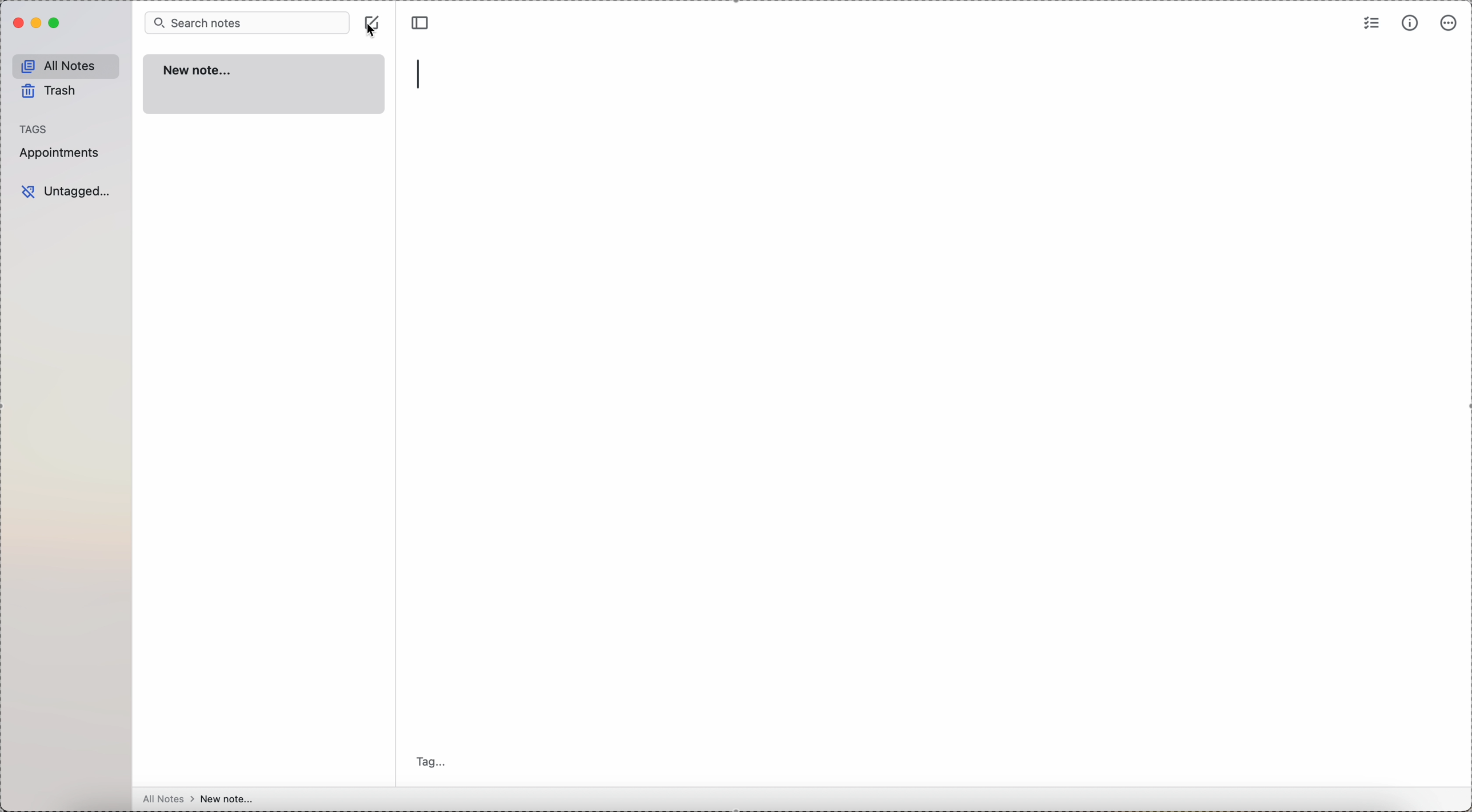 This screenshot has width=1472, height=812. I want to click on type, so click(422, 74).